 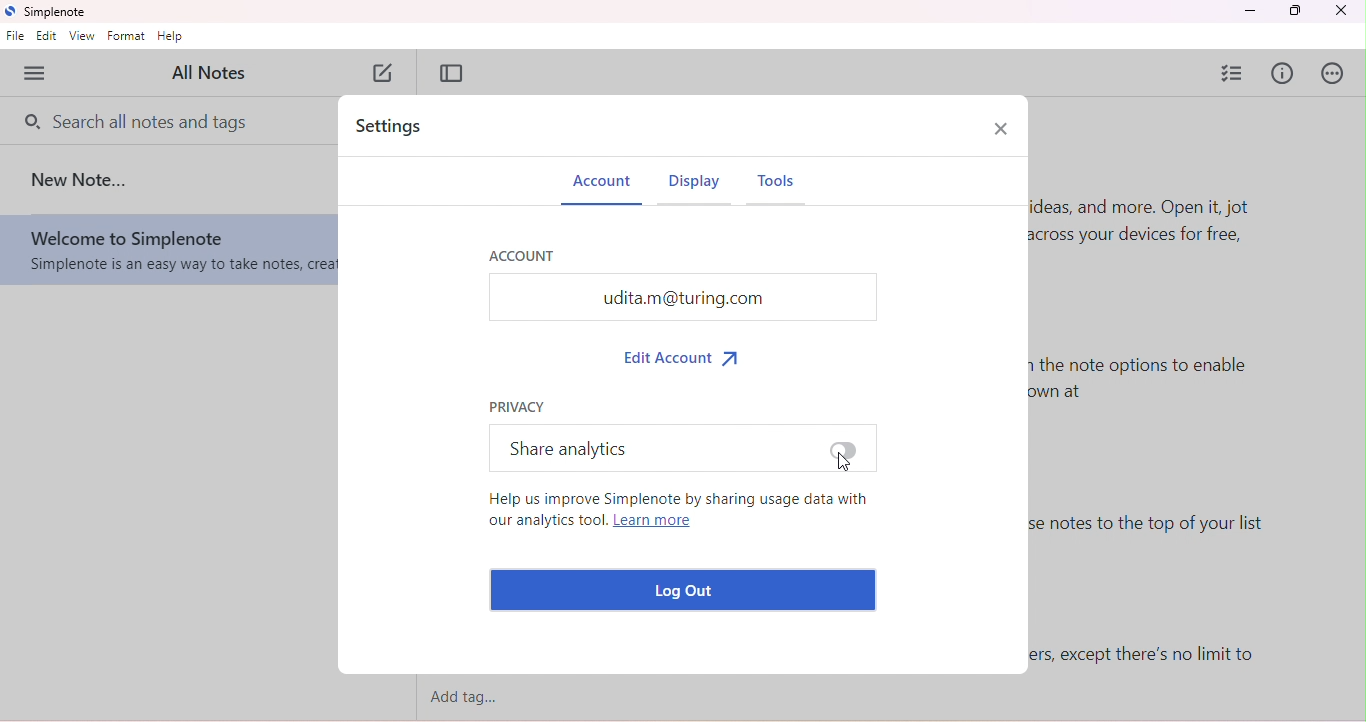 I want to click on edit account, so click(x=686, y=356).